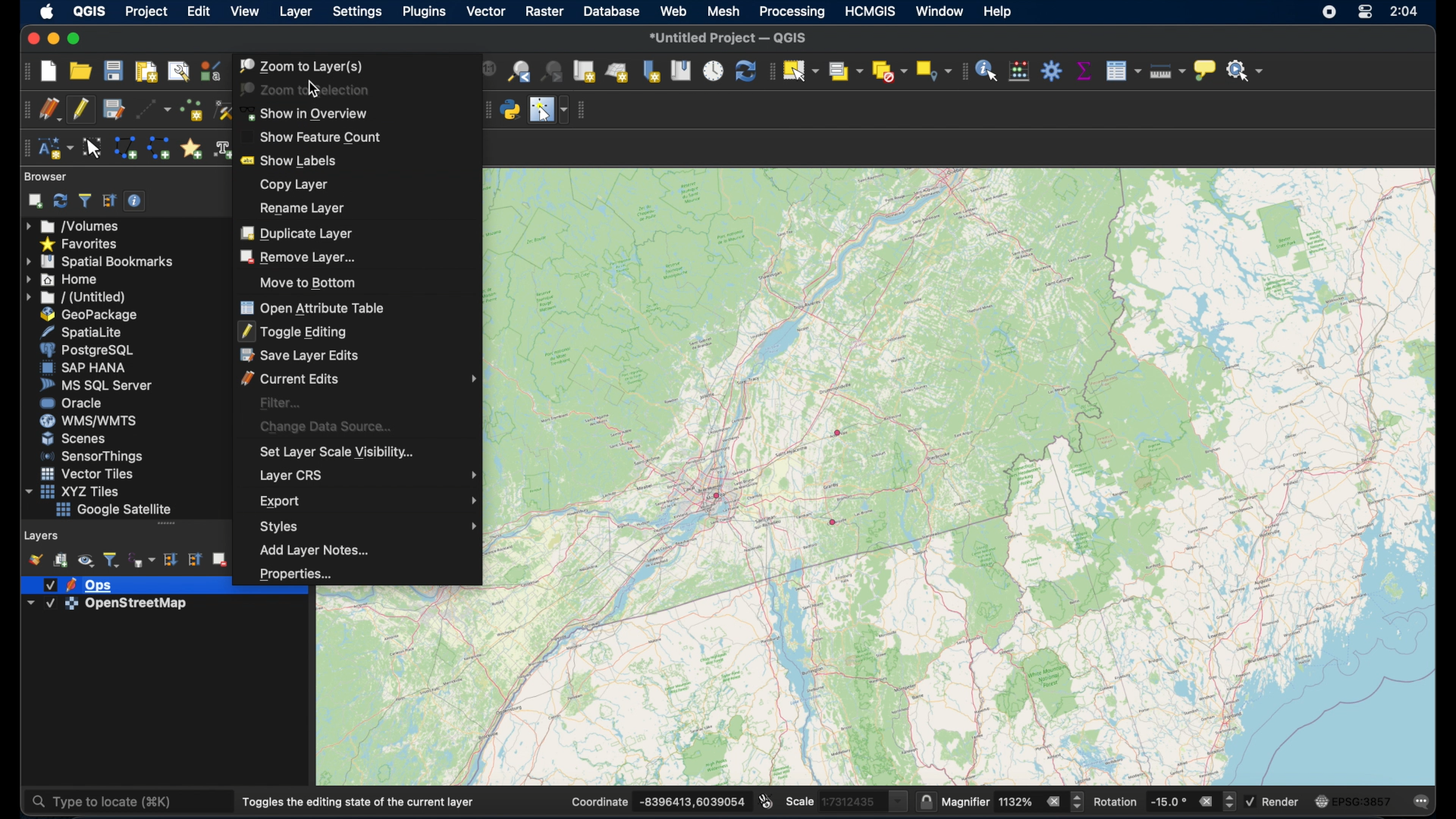 The height and width of the screenshot is (819, 1456). Describe the element at coordinates (868, 12) in the screenshot. I see `HCMGIS` at that location.